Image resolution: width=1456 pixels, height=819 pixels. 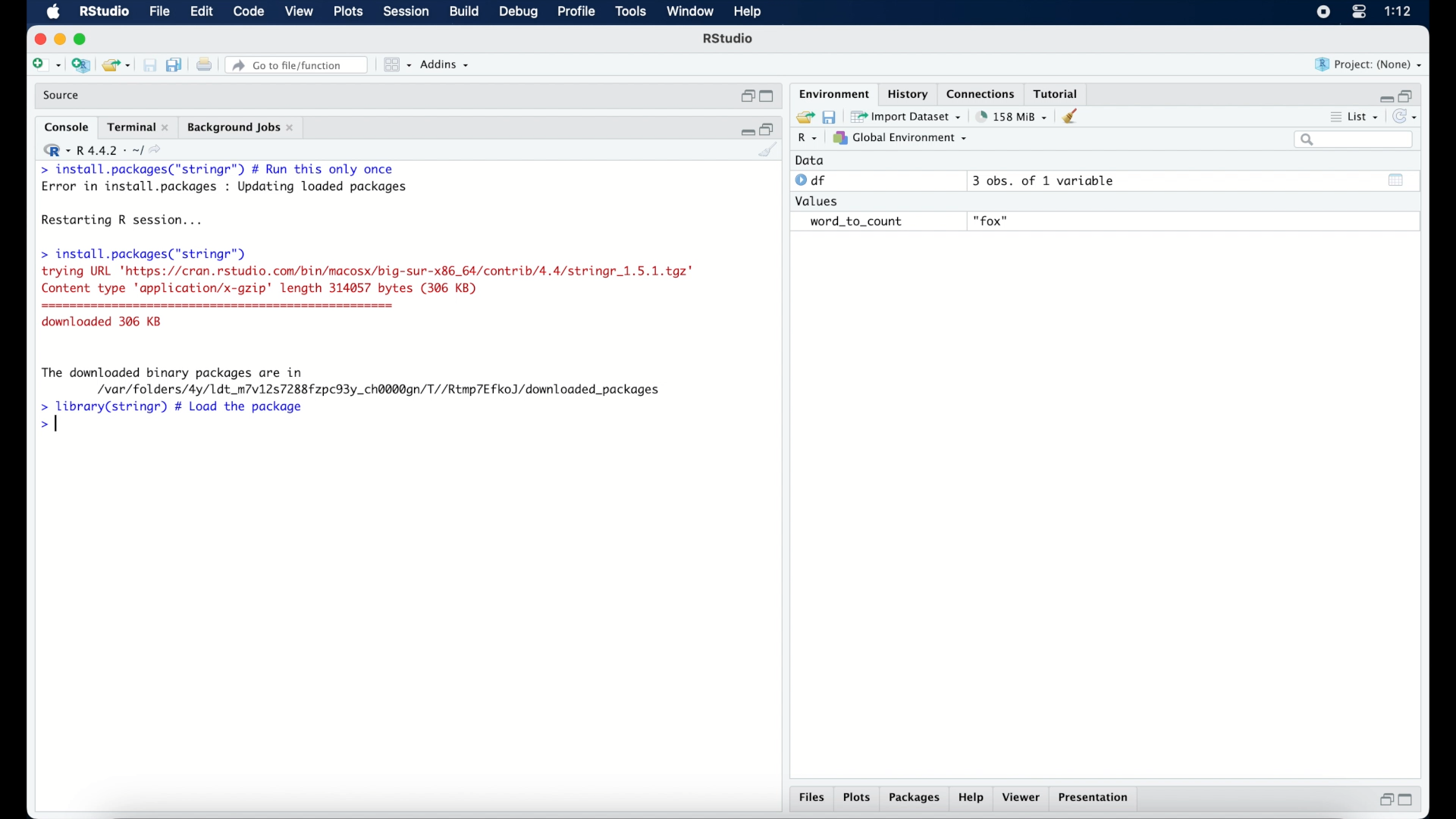 What do you see at coordinates (802, 118) in the screenshot?
I see `load workspace` at bounding box center [802, 118].